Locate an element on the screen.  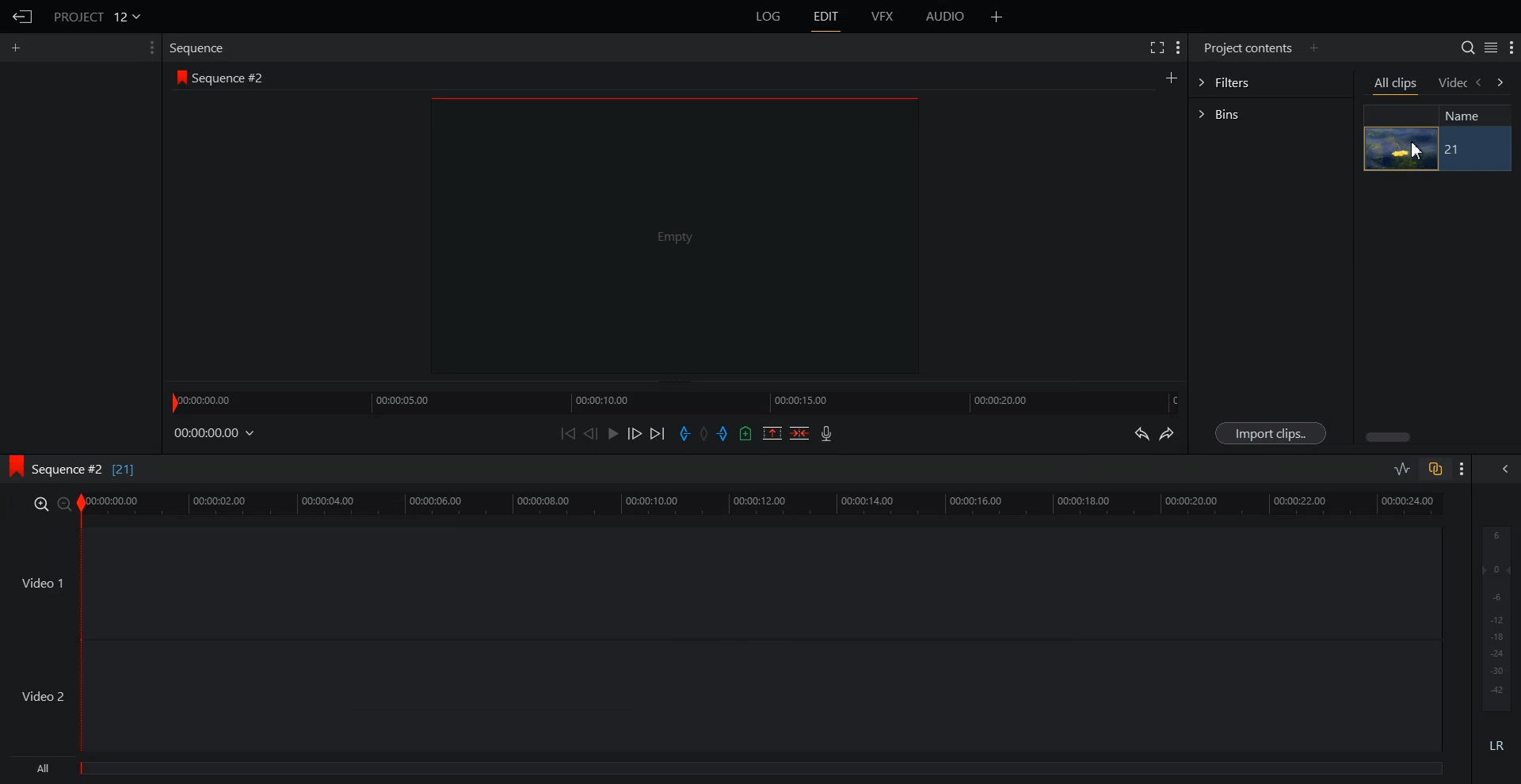
Show Setting Menu is located at coordinates (147, 48).